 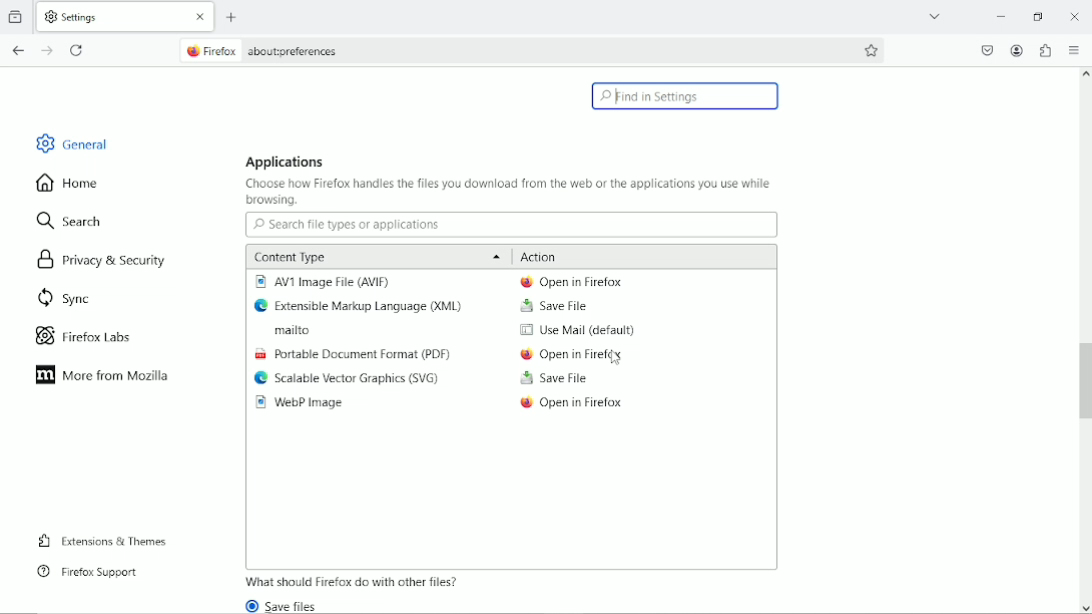 I want to click on search, so click(x=72, y=219).